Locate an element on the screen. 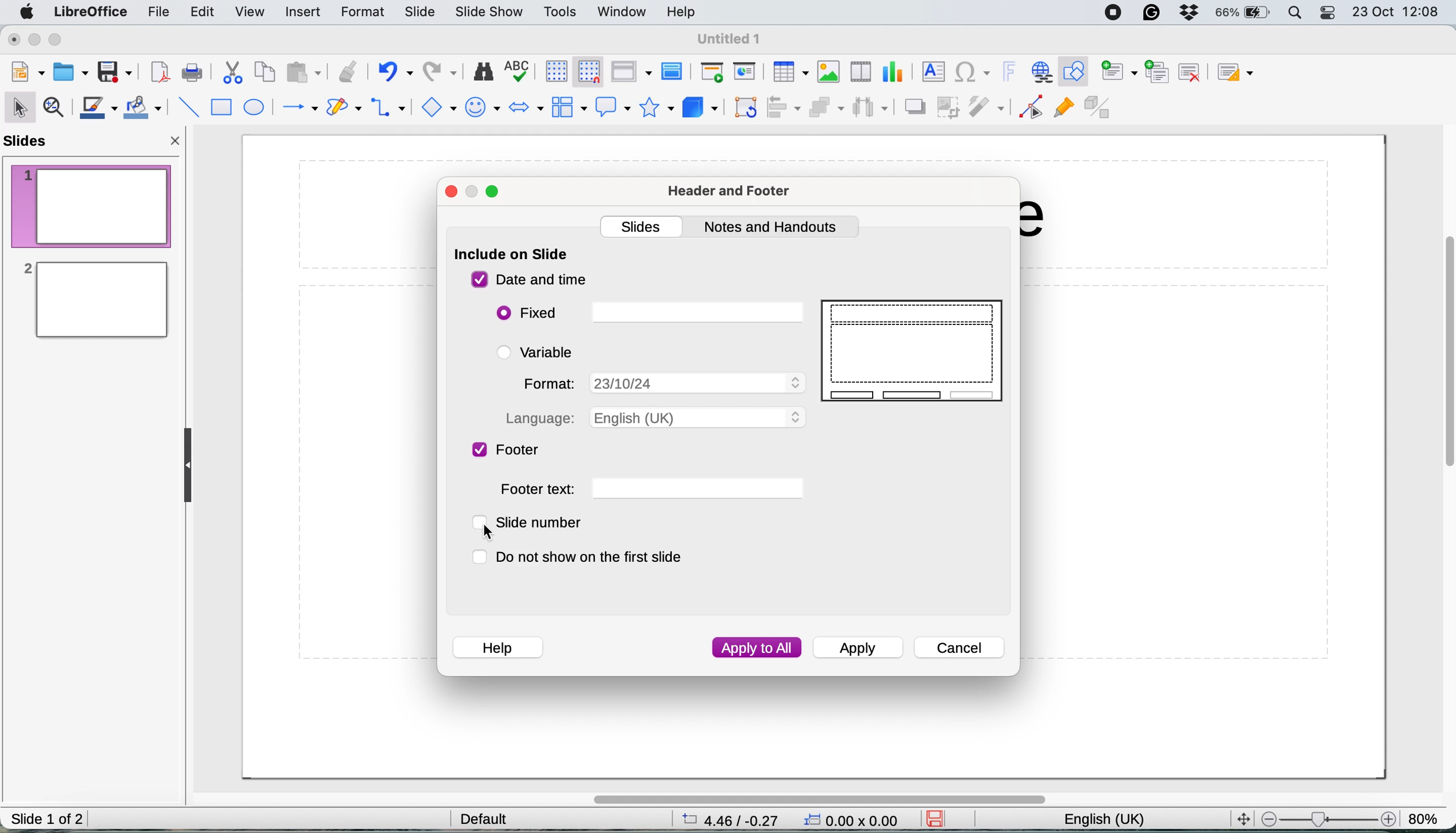 The image size is (1456, 833). shadow is located at coordinates (914, 107).